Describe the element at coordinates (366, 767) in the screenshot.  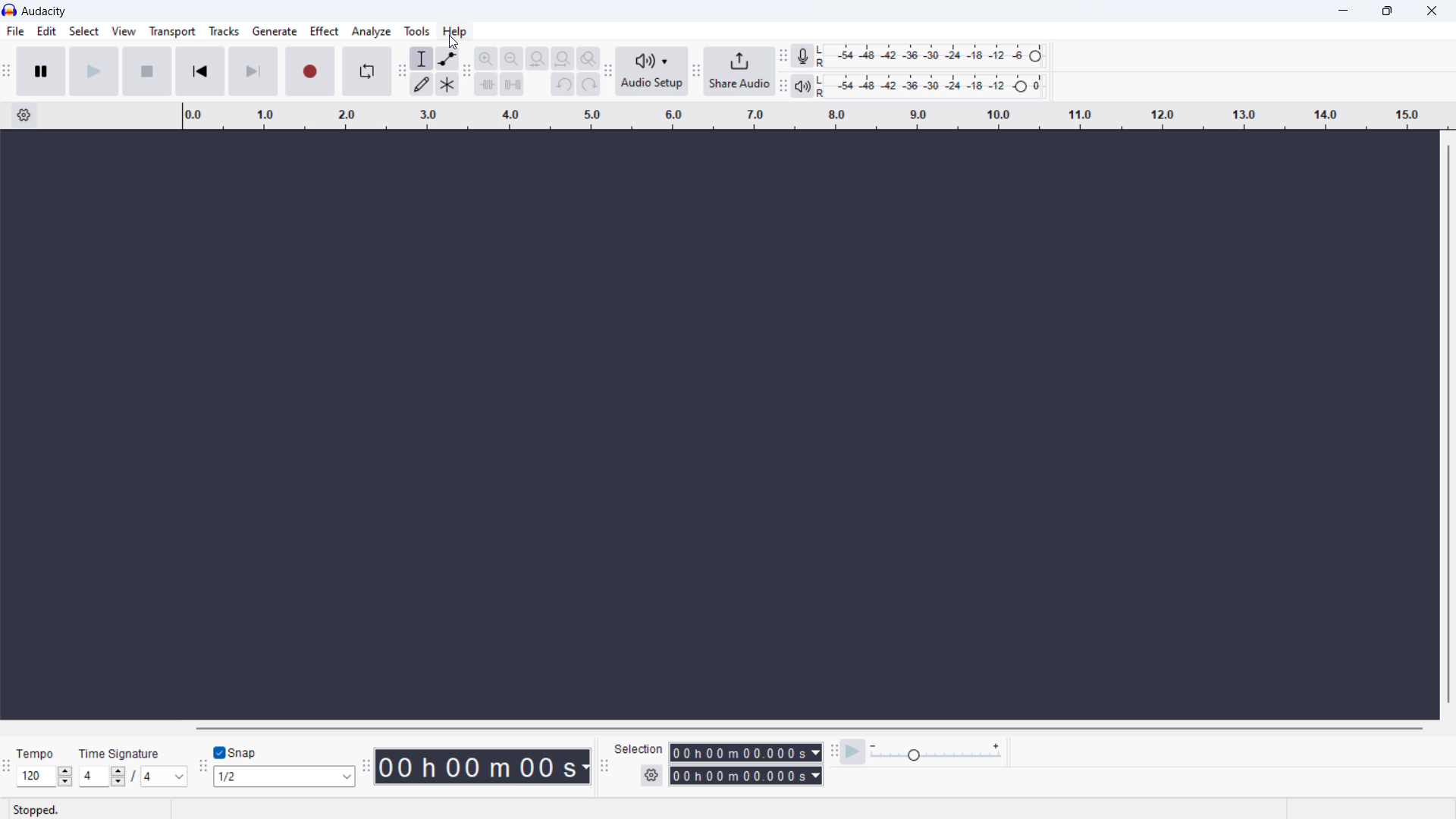
I see `time toolbar` at that location.